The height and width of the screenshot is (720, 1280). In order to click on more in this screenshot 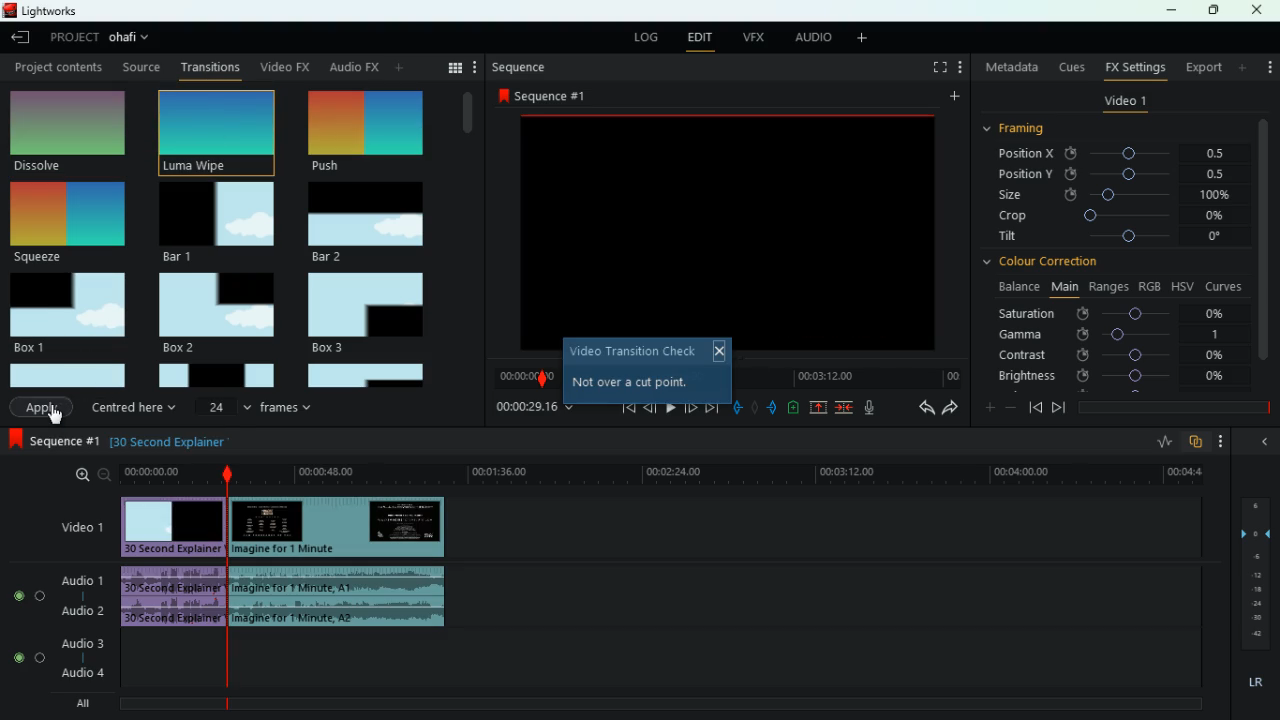, I will do `click(475, 67)`.